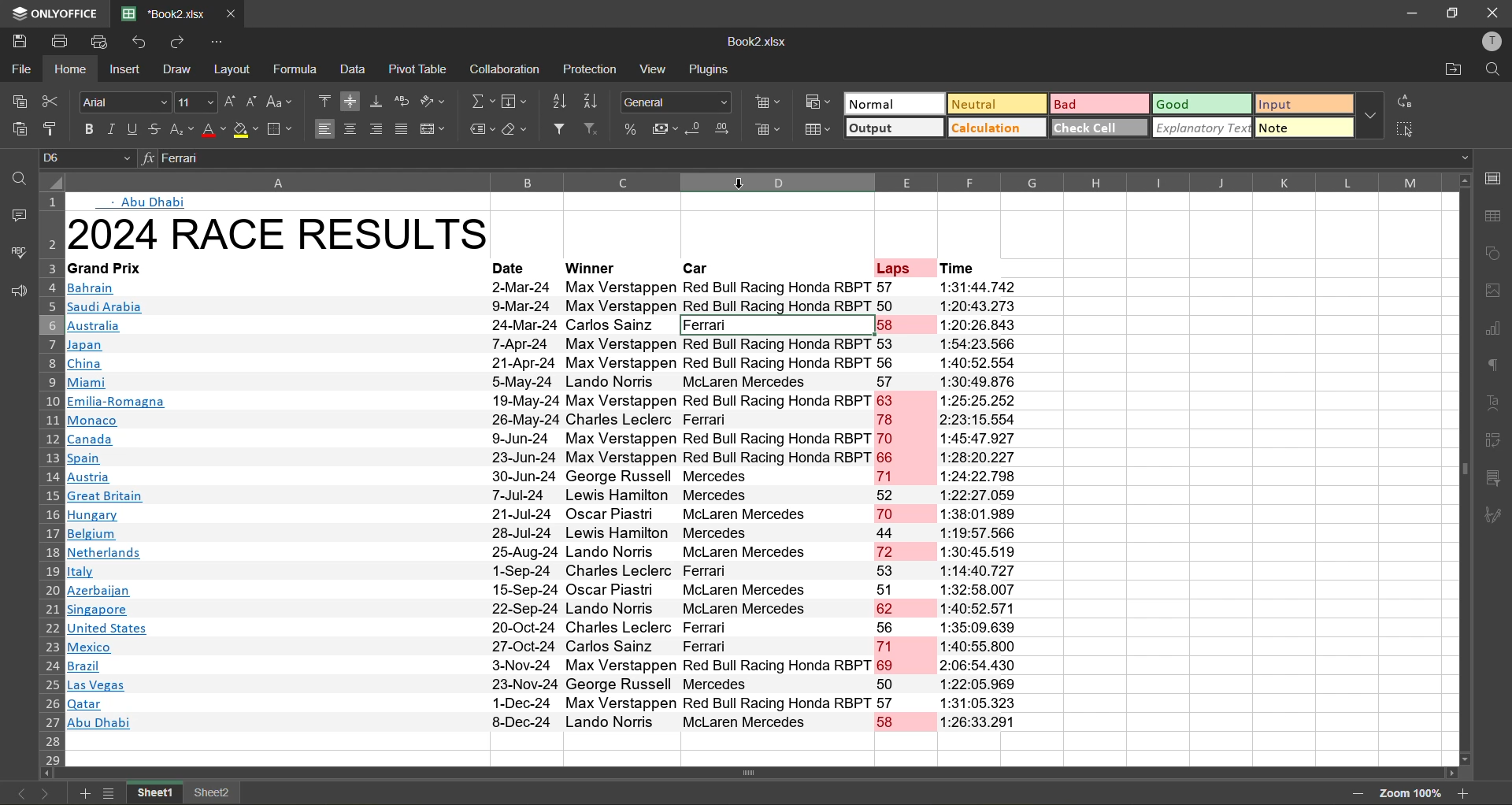 The height and width of the screenshot is (805, 1512). What do you see at coordinates (134, 128) in the screenshot?
I see `underline` at bounding box center [134, 128].